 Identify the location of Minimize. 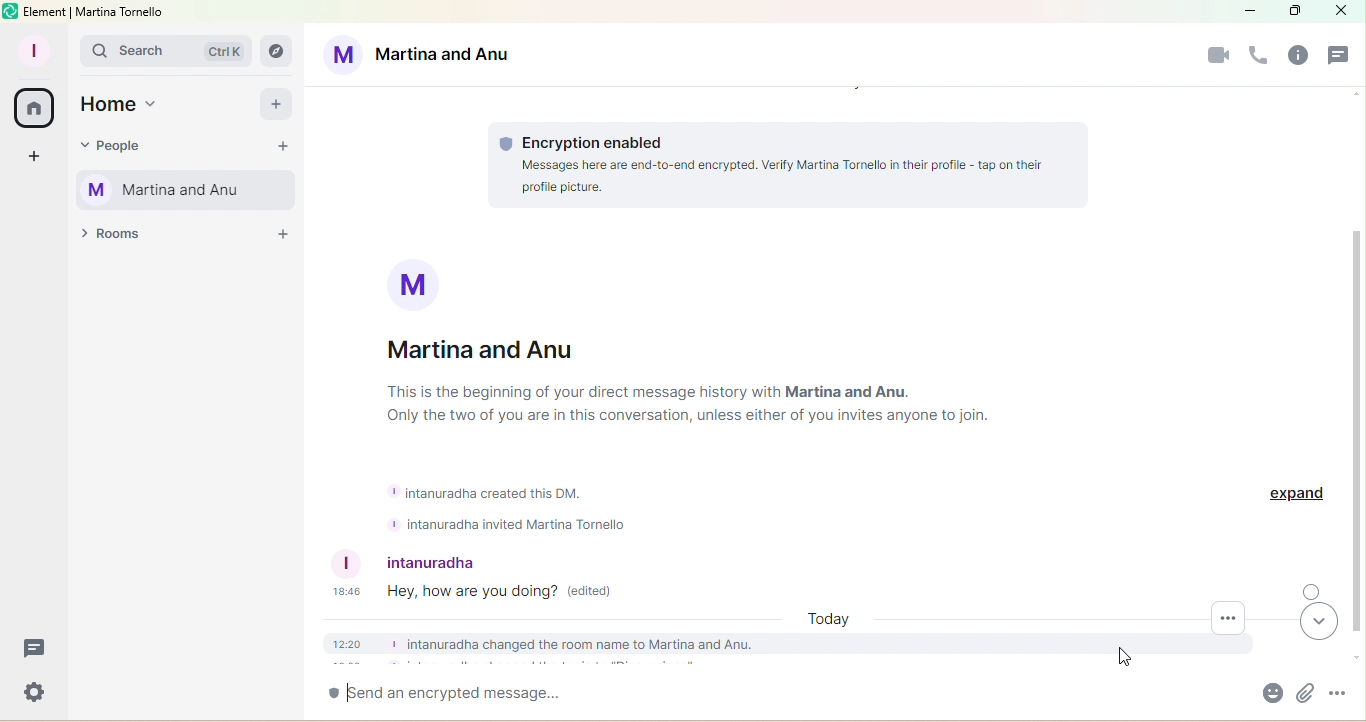
(1251, 11).